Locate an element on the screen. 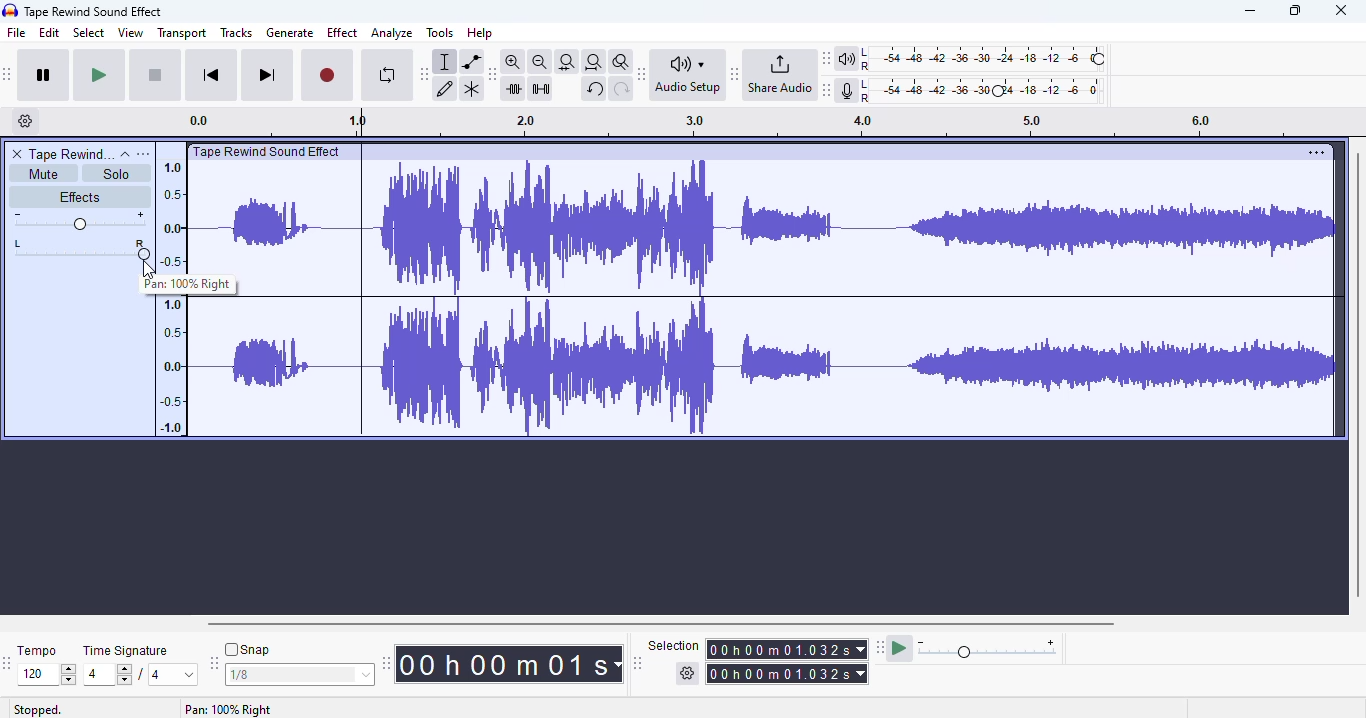 Image resolution: width=1366 pixels, height=718 pixels. zoom in is located at coordinates (512, 61).